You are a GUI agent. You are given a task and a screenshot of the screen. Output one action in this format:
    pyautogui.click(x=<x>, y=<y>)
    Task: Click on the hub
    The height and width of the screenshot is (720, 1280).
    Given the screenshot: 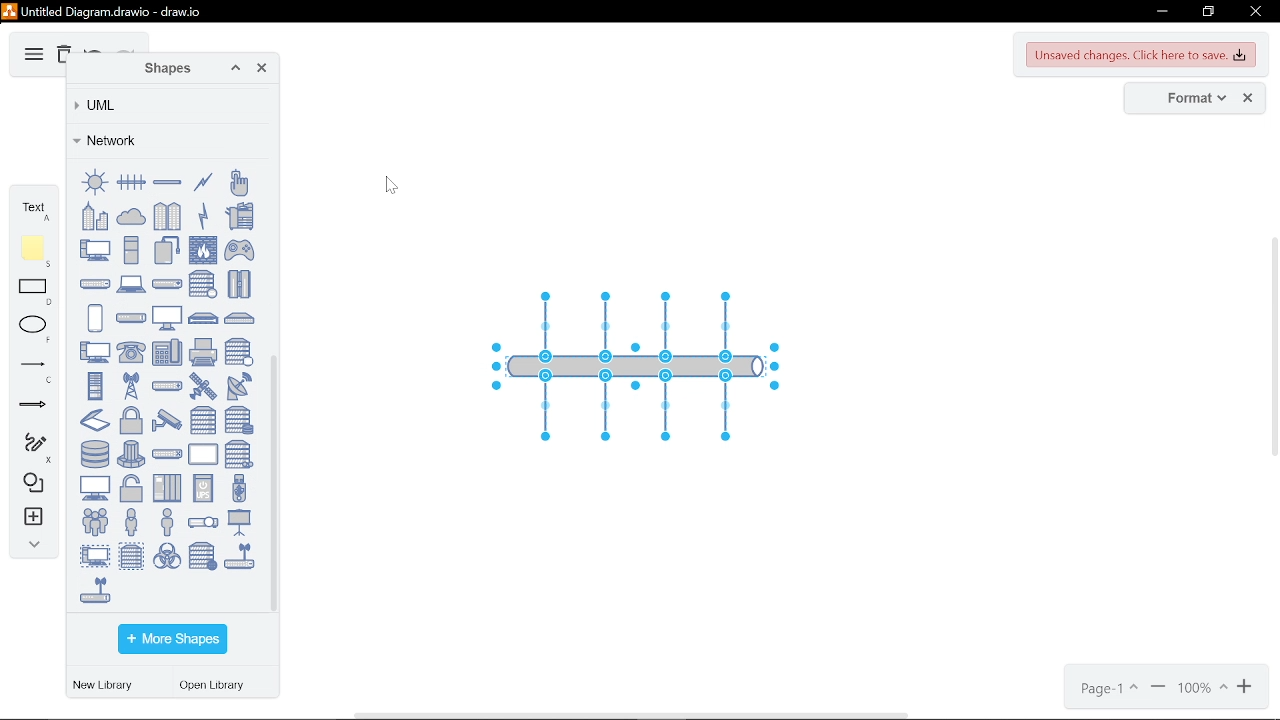 What is the action you would take?
    pyautogui.click(x=95, y=284)
    